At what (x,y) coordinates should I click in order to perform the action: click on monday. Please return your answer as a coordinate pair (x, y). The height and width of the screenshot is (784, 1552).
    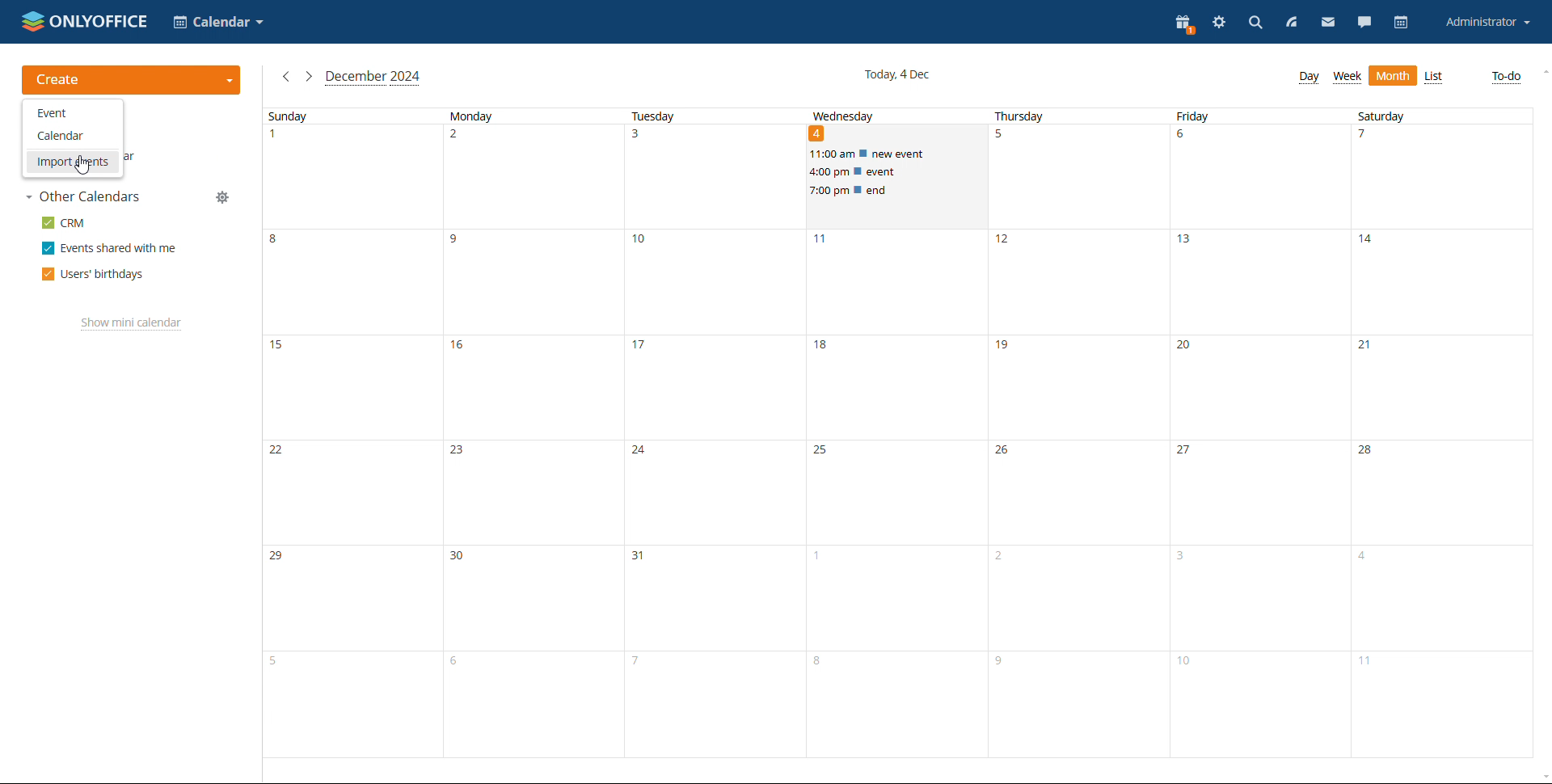
    Looking at the image, I should click on (533, 433).